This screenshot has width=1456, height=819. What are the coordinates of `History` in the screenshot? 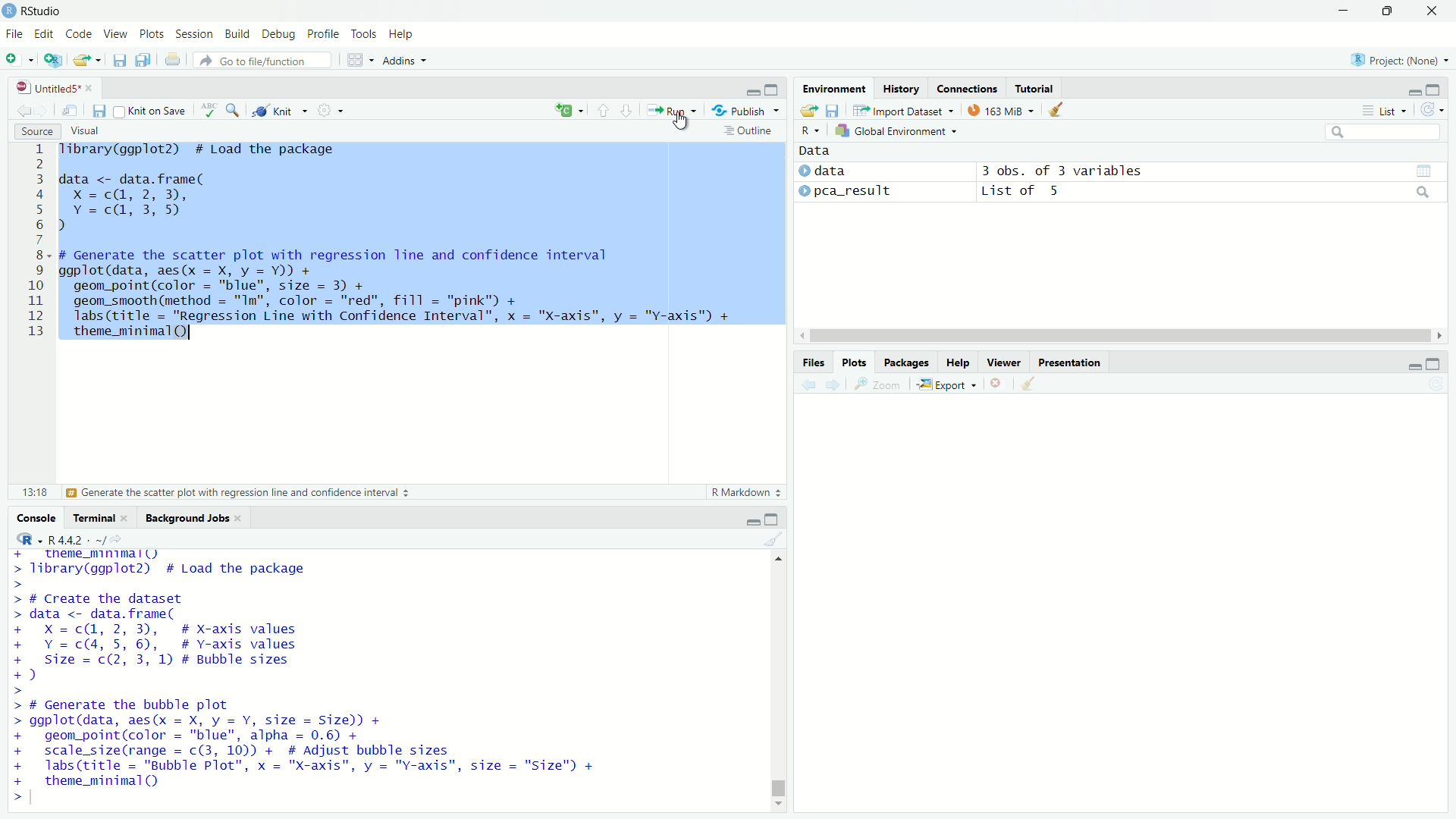 It's located at (902, 87).